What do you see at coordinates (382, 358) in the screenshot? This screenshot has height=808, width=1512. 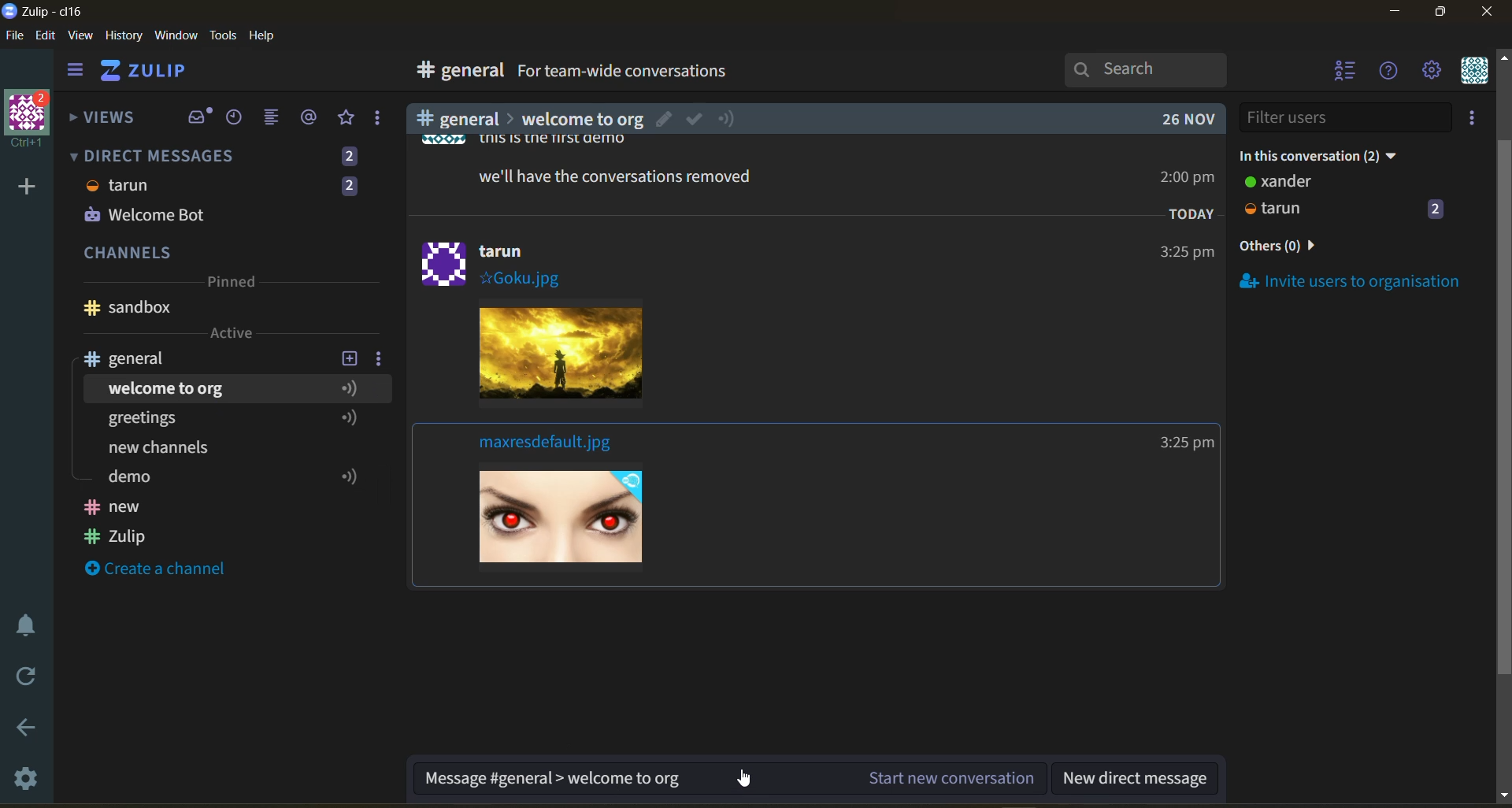 I see `channel settings` at bounding box center [382, 358].